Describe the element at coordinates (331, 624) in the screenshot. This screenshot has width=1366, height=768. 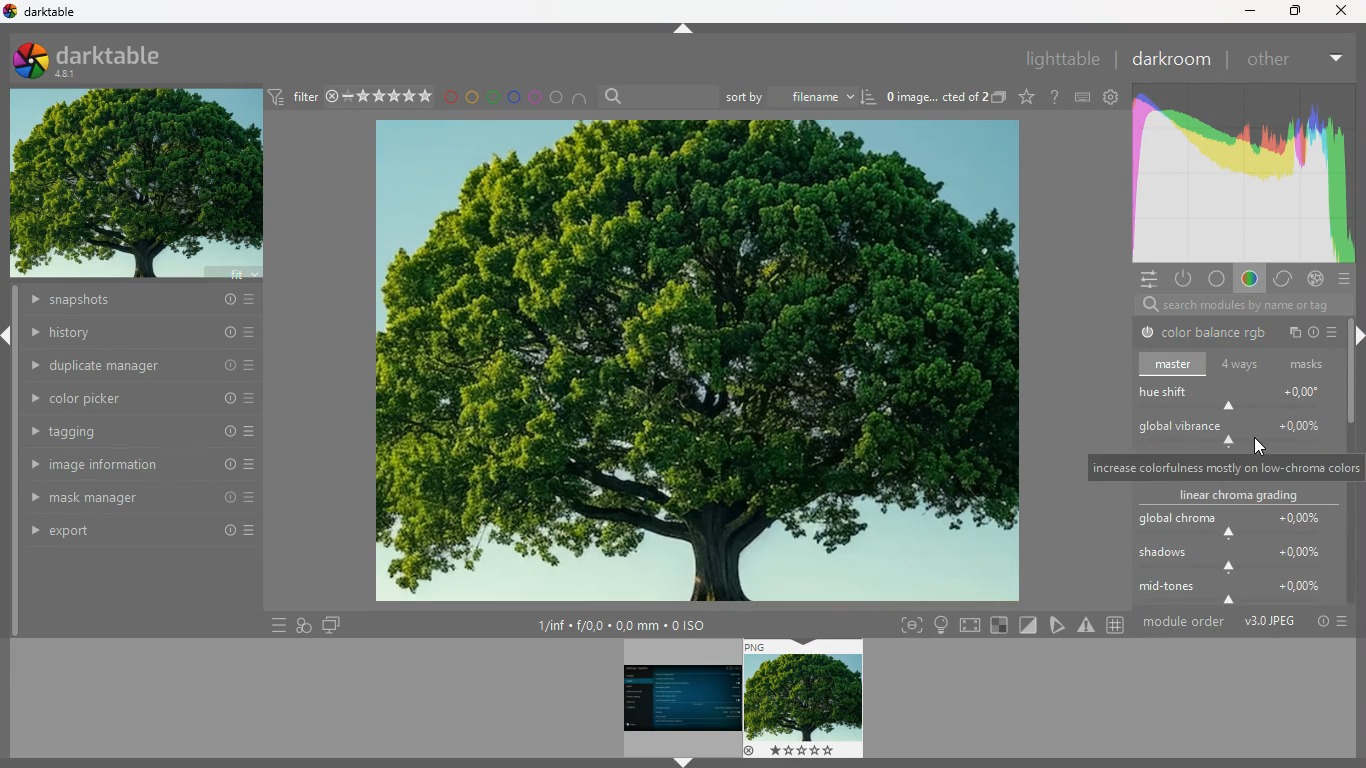
I see `screen` at that location.